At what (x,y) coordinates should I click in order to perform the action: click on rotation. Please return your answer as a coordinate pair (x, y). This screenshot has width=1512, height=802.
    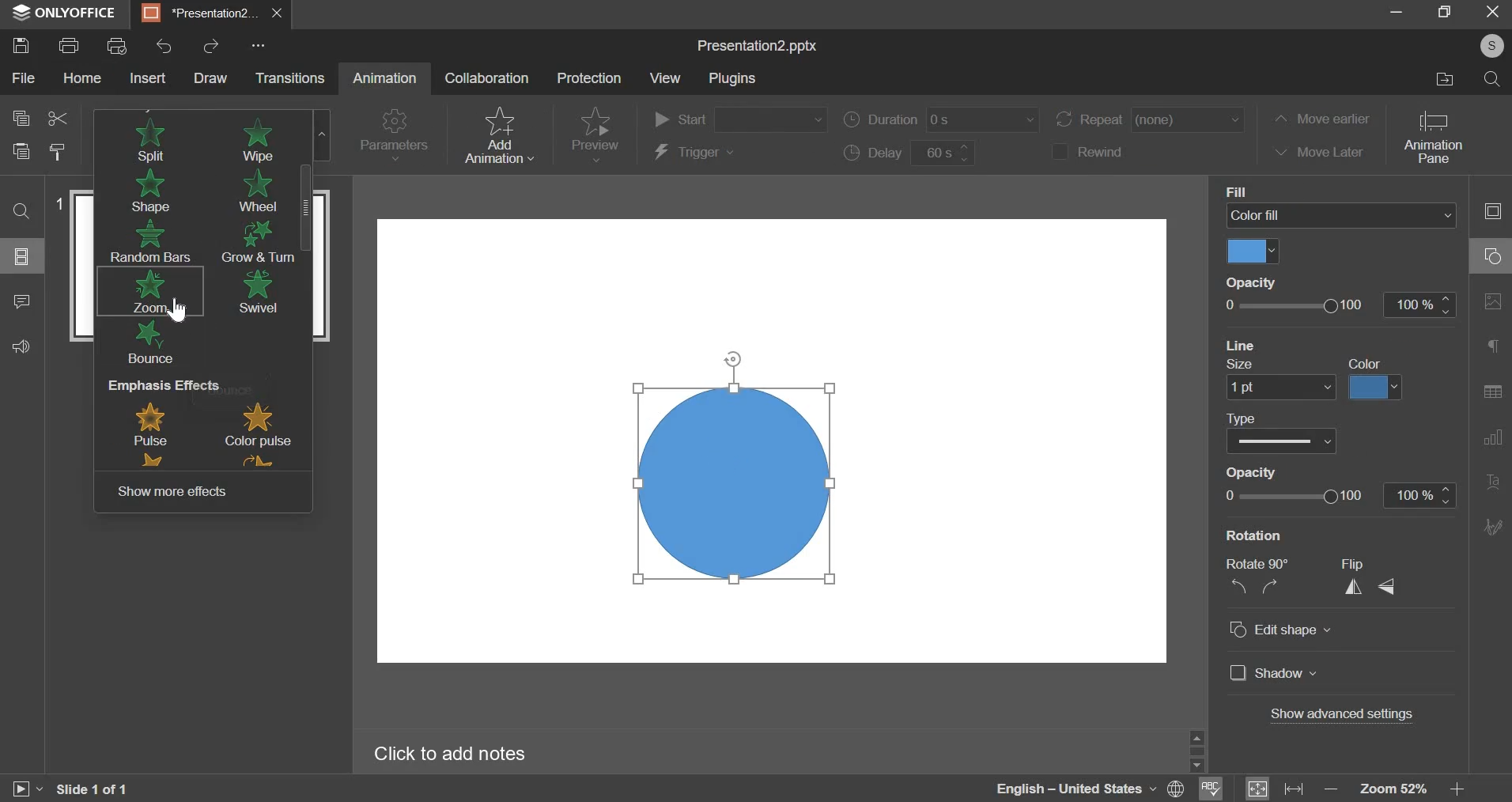
    Looking at the image, I should click on (1257, 581).